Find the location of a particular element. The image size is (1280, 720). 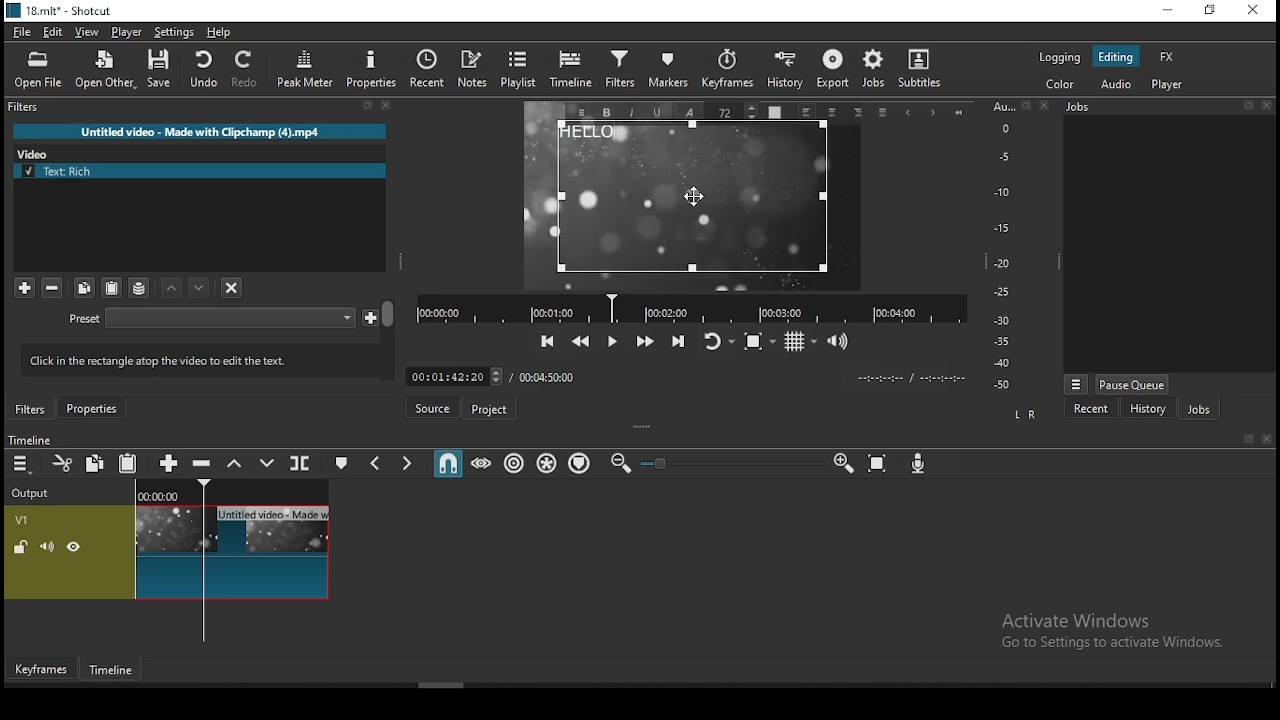

scrub while dragging is located at coordinates (482, 462).